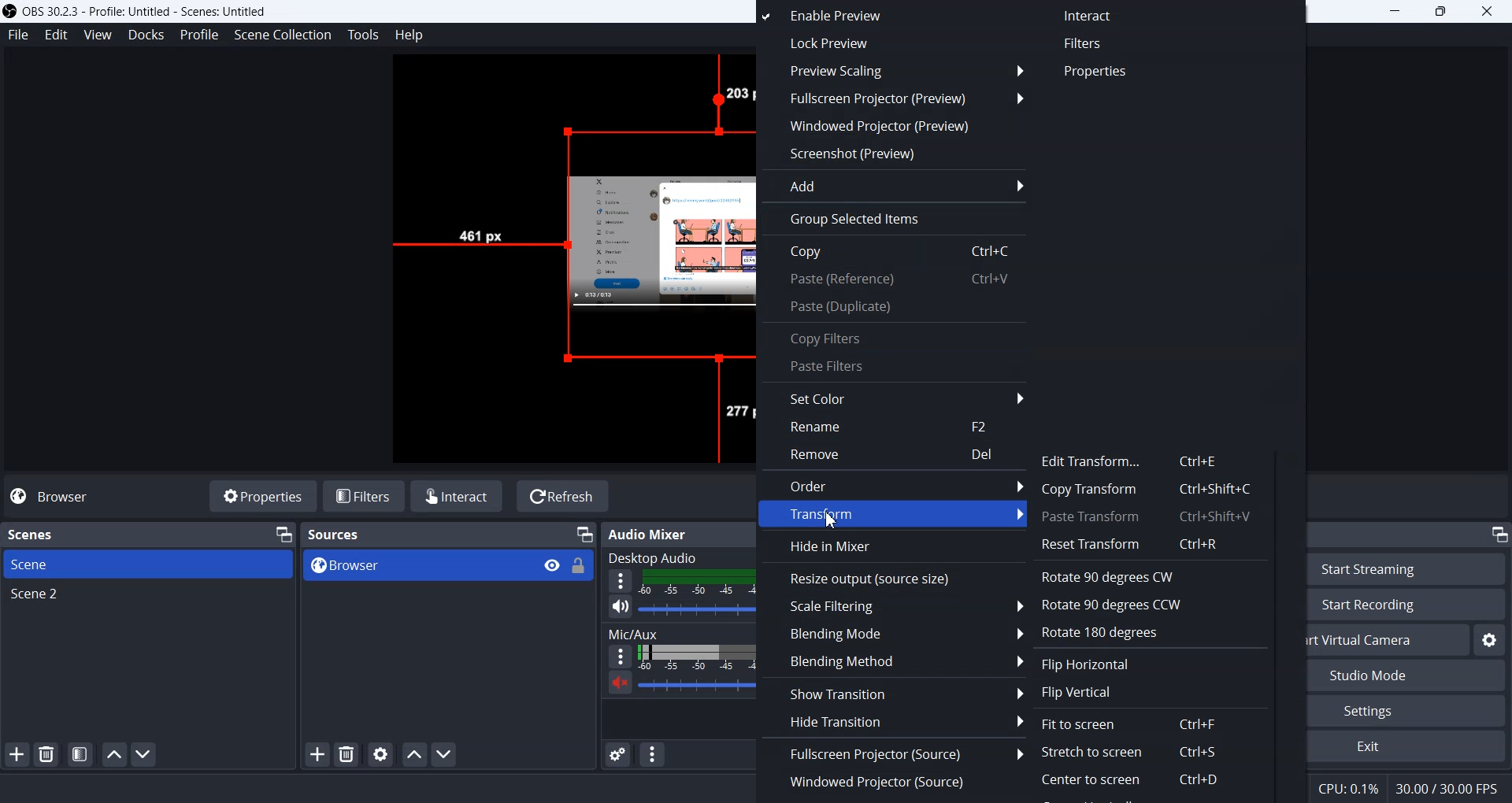  What do you see at coordinates (892, 578) in the screenshot?
I see `Resize output` at bounding box center [892, 578].